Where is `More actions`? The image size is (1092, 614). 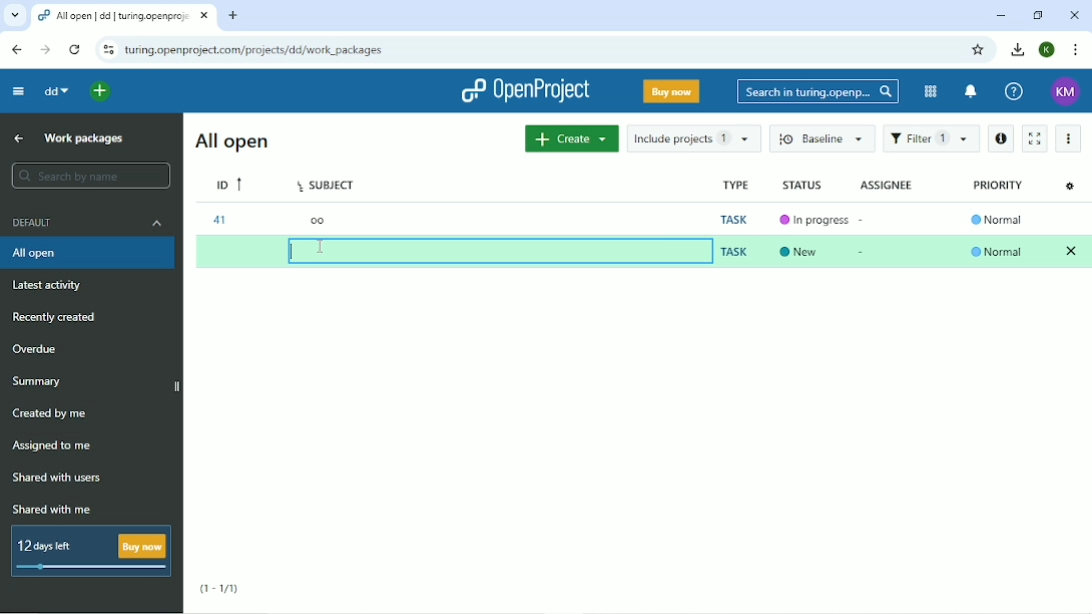 More actions is located at coordinates (1070, 137).